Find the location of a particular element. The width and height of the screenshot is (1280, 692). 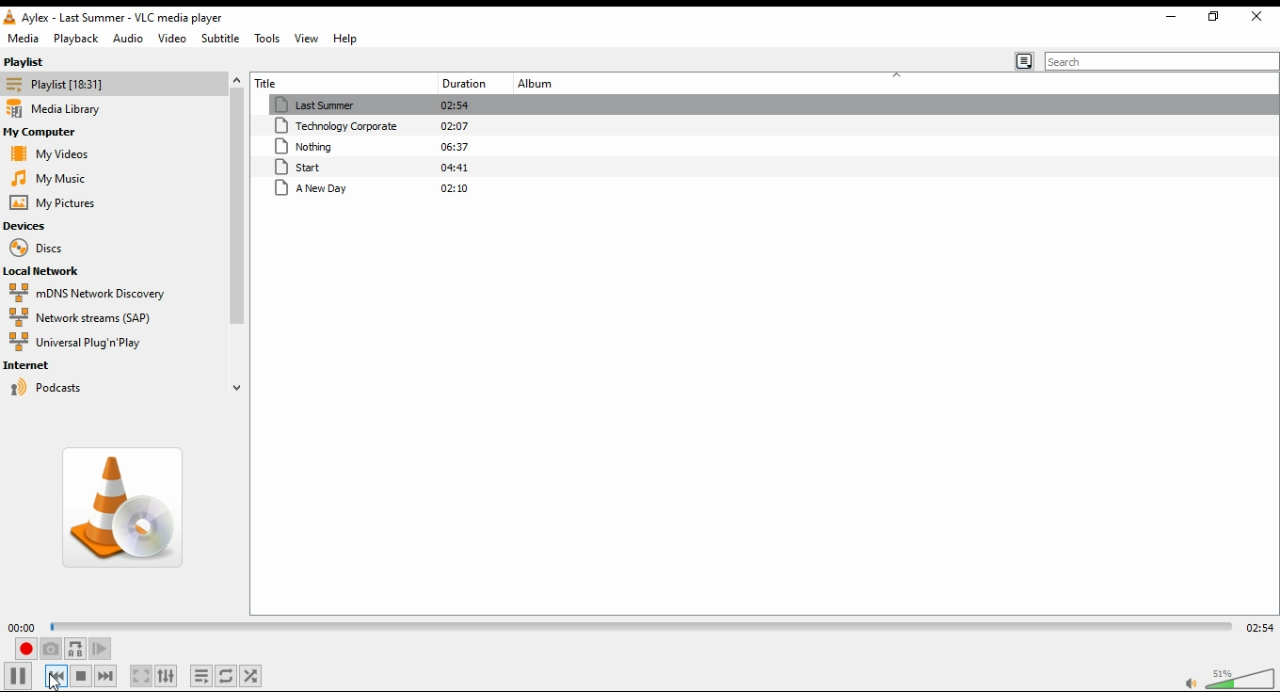

06:37 is located at coordinates (455, 145).